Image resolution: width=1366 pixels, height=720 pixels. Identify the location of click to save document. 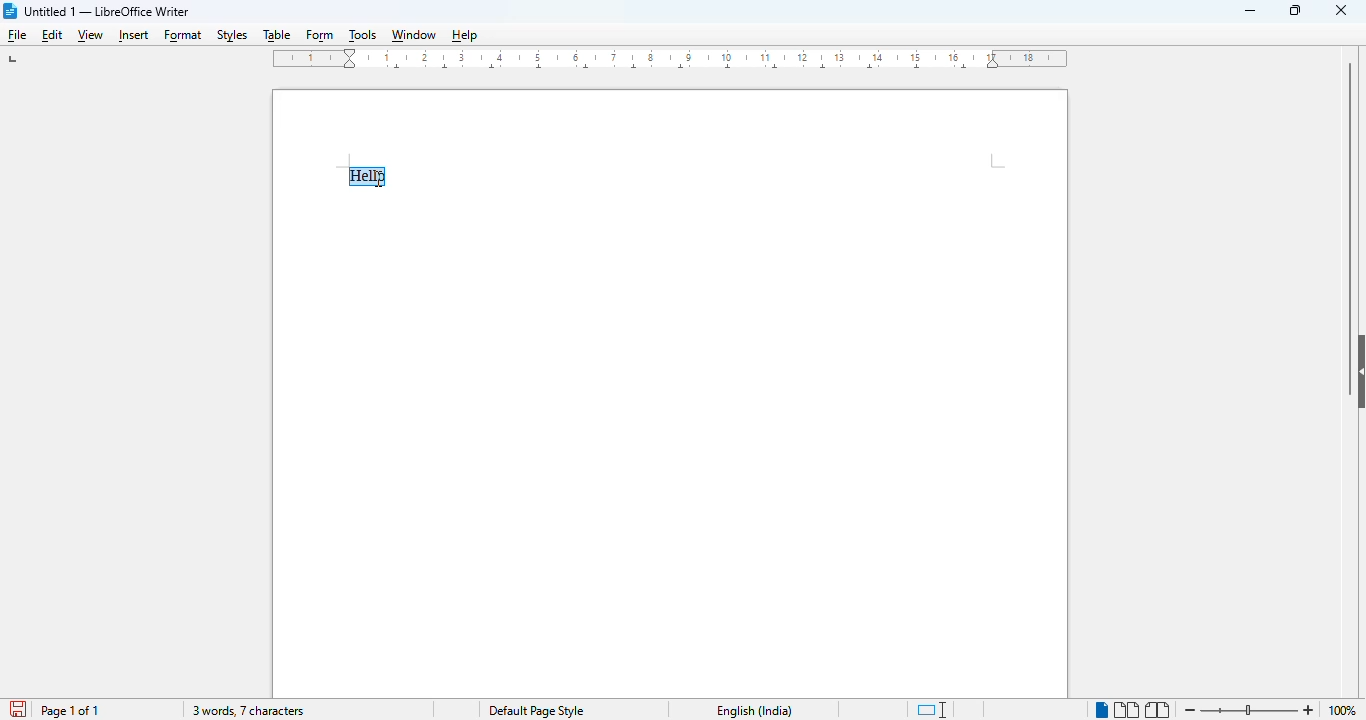
(20, 710).